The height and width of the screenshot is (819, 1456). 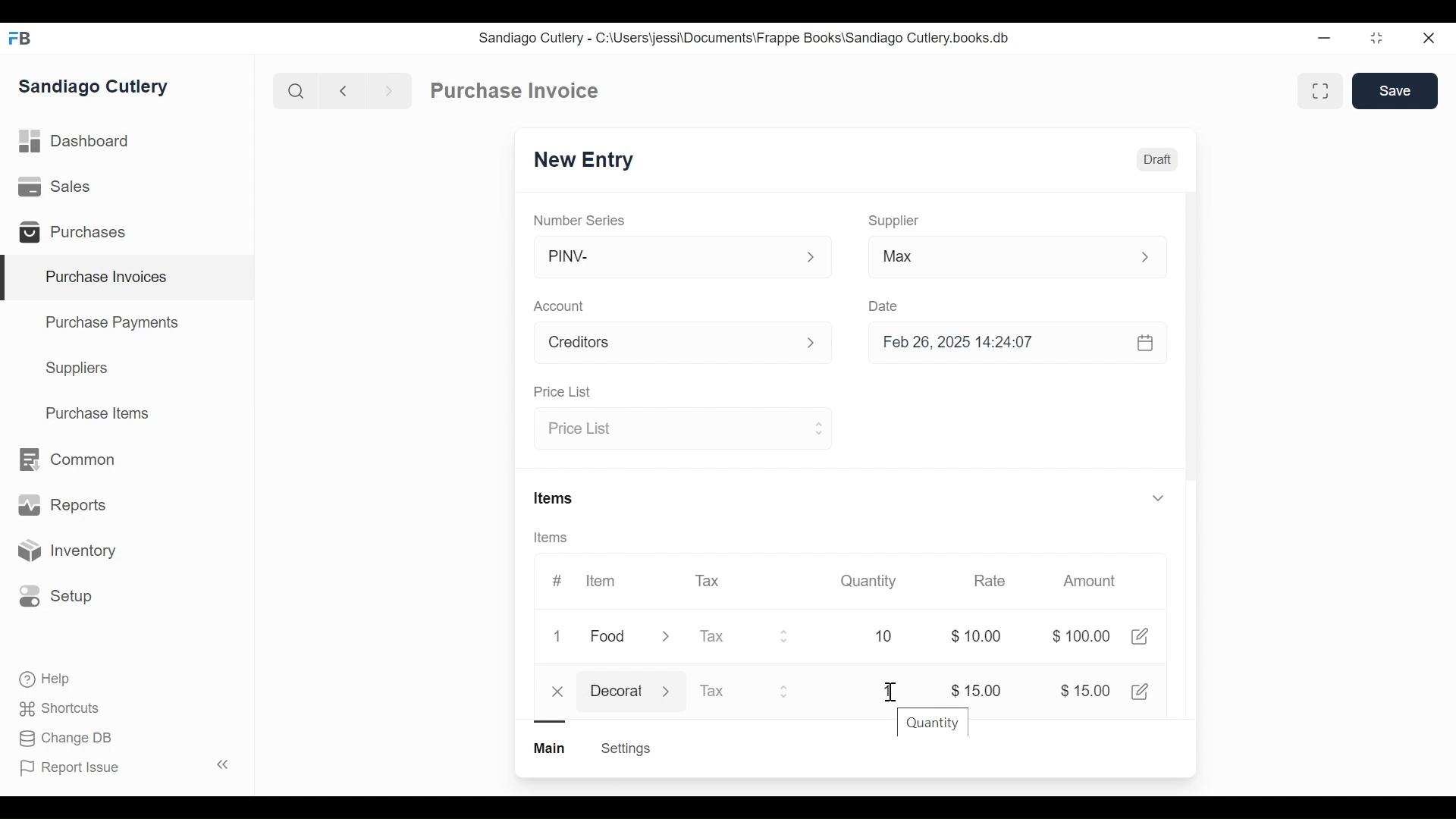 I want to click on $100.00, so click(x=1081, y=636).